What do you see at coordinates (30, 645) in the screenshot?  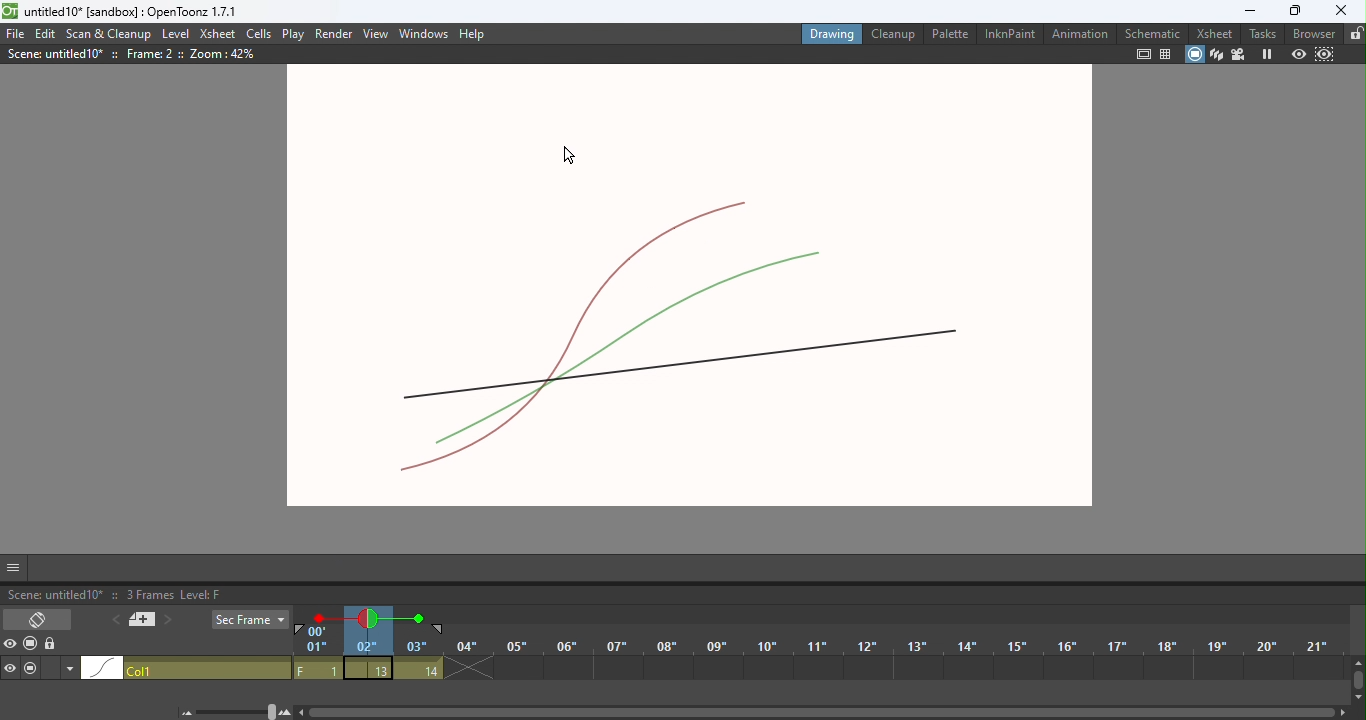 I see `Camera stand visibility toggle all` at bounding box center [30, 645].